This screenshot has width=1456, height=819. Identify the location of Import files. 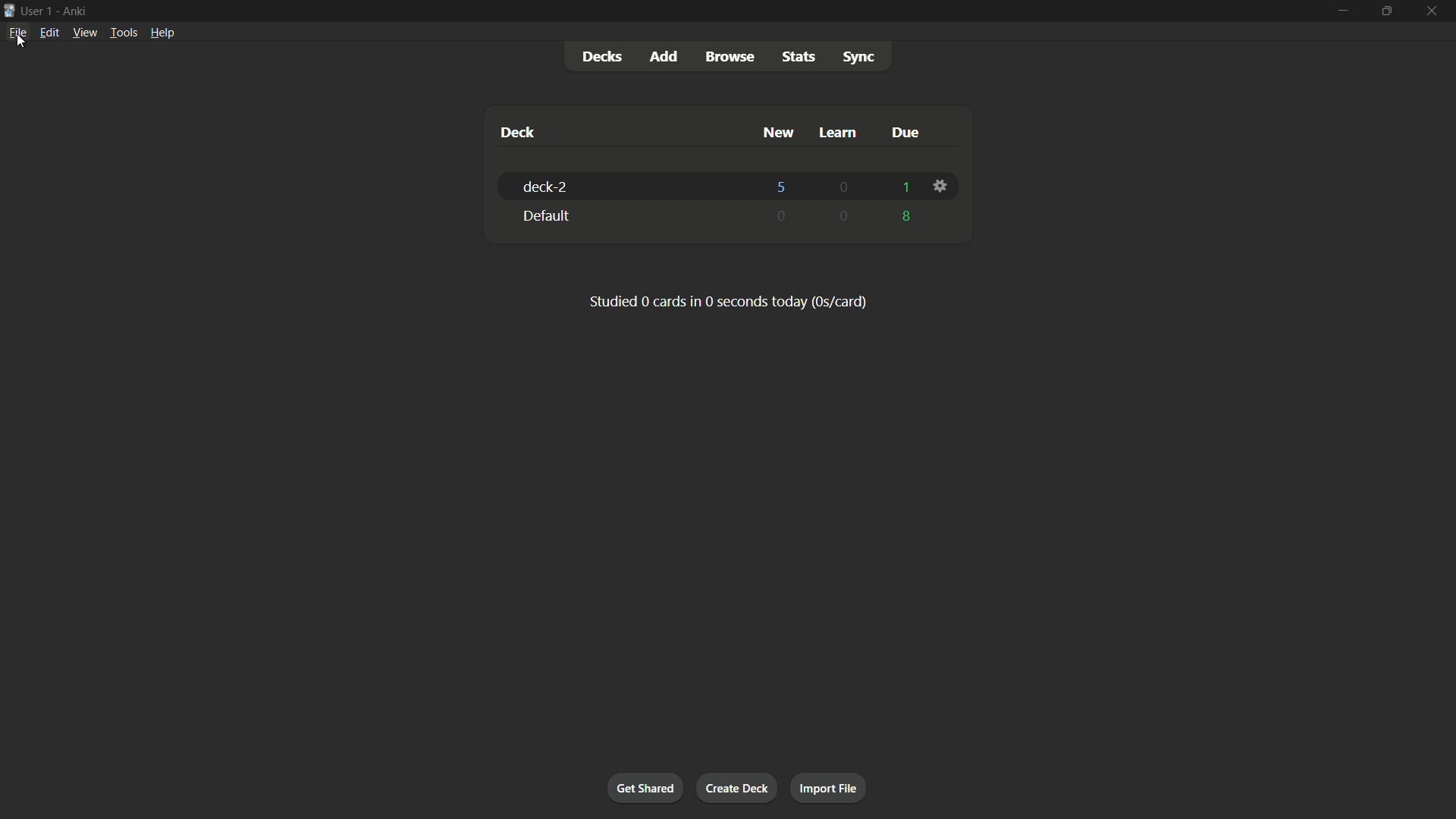
(830, 789).